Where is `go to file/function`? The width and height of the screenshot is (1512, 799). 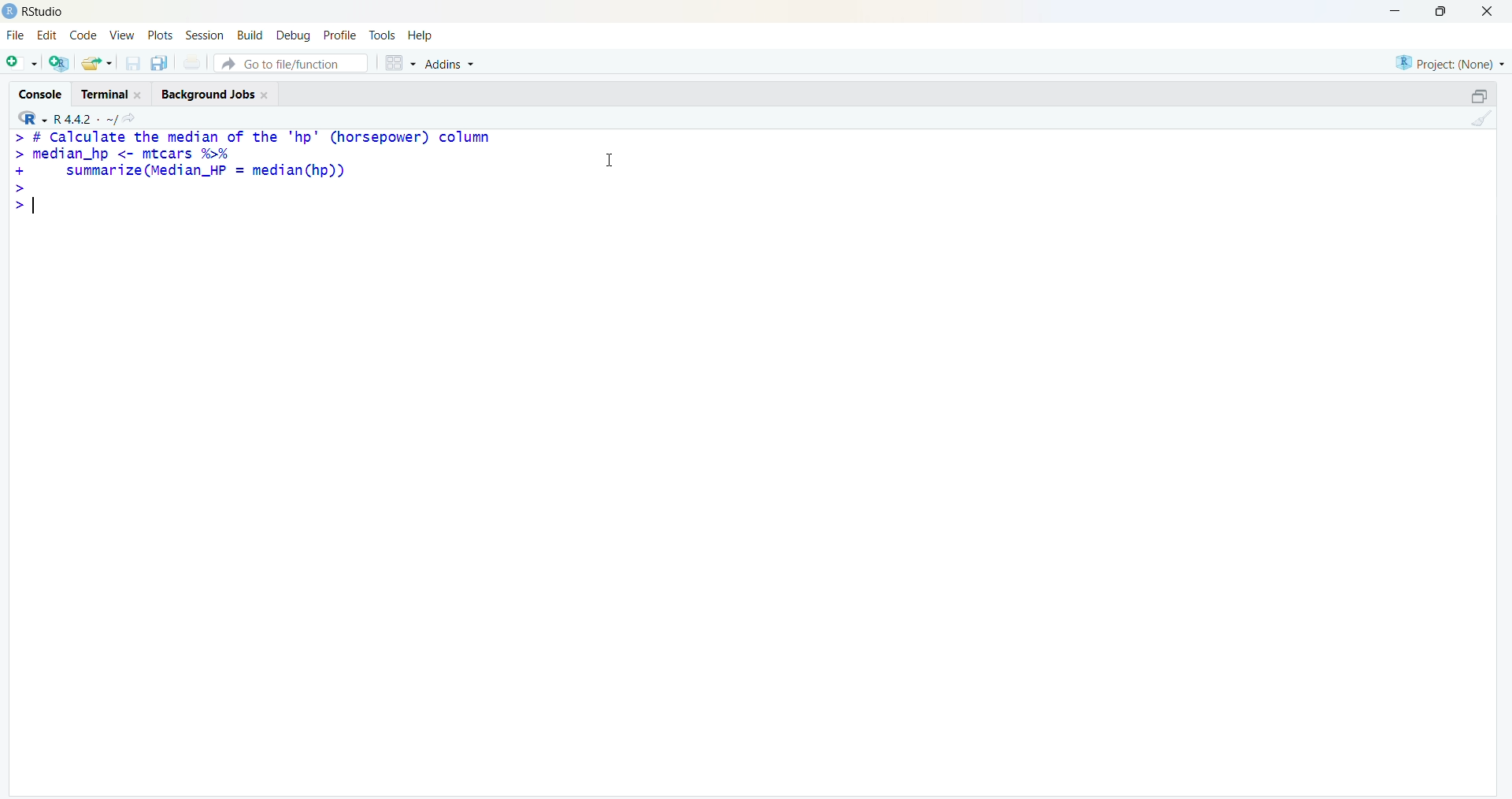
go to file/function is located at coordinates (292, 63).